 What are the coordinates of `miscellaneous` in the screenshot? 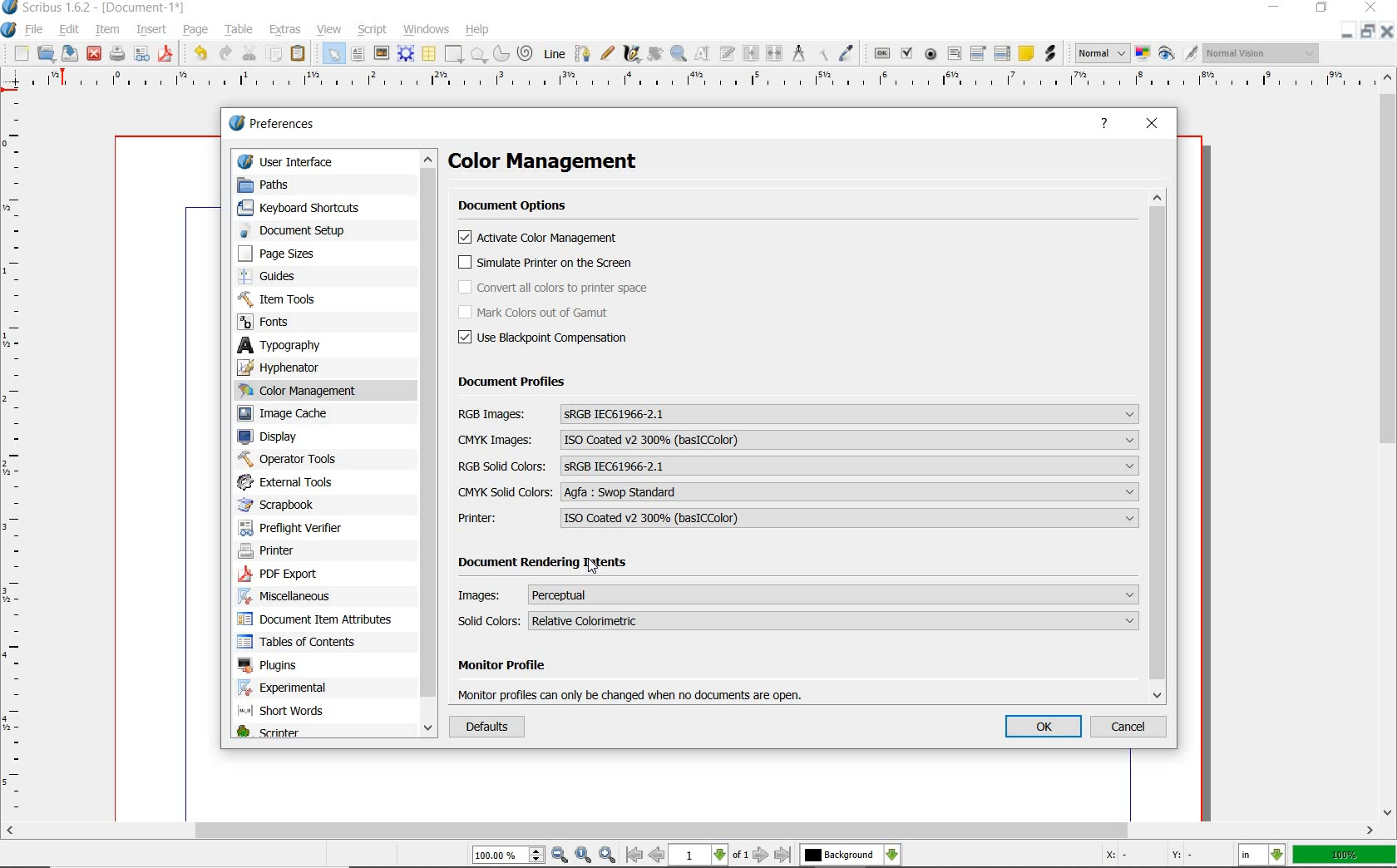 It's located at (311, 598).